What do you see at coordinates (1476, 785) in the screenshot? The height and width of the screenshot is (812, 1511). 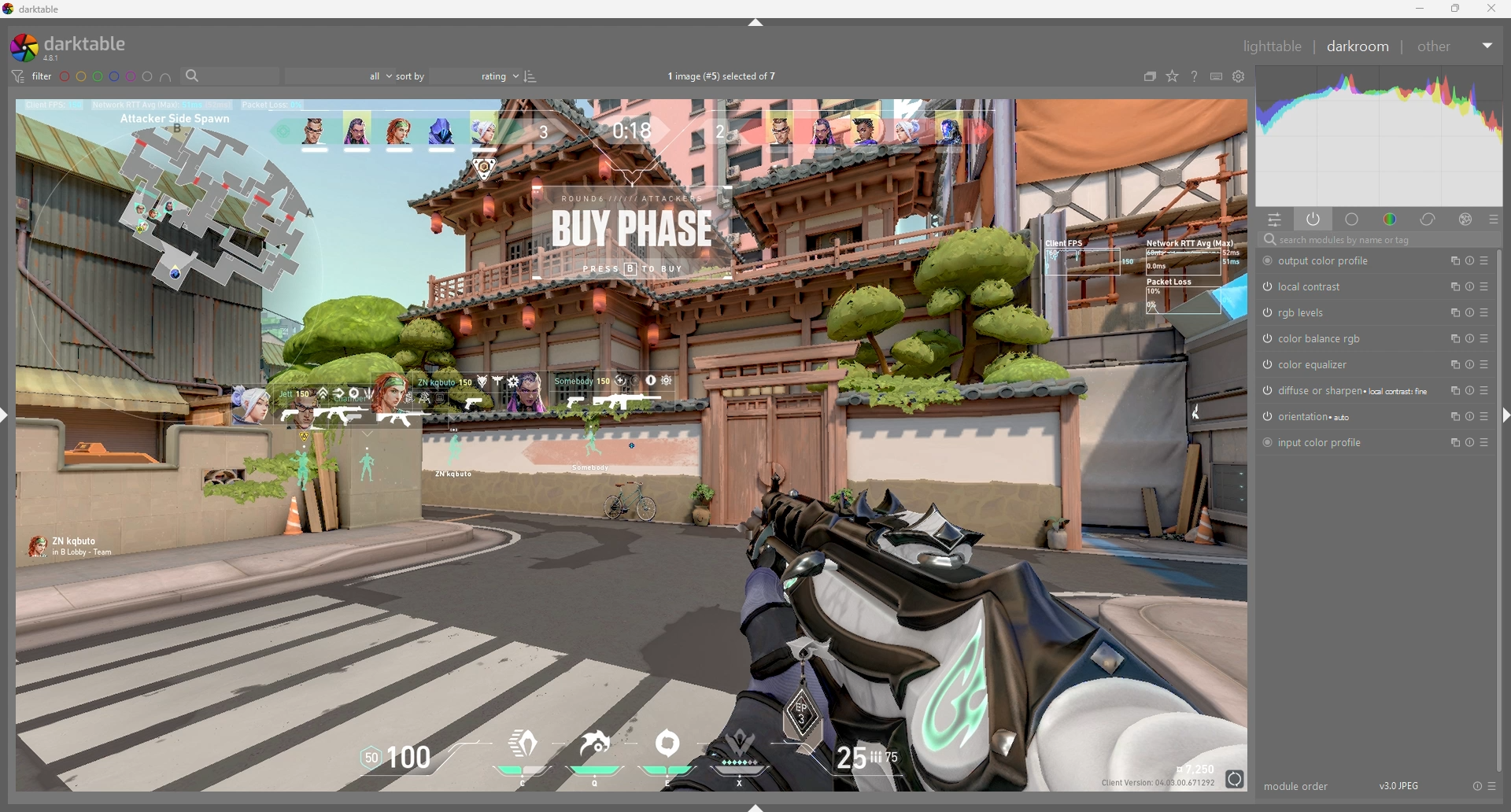 I see `reset` at bounding box center [1476, 785].